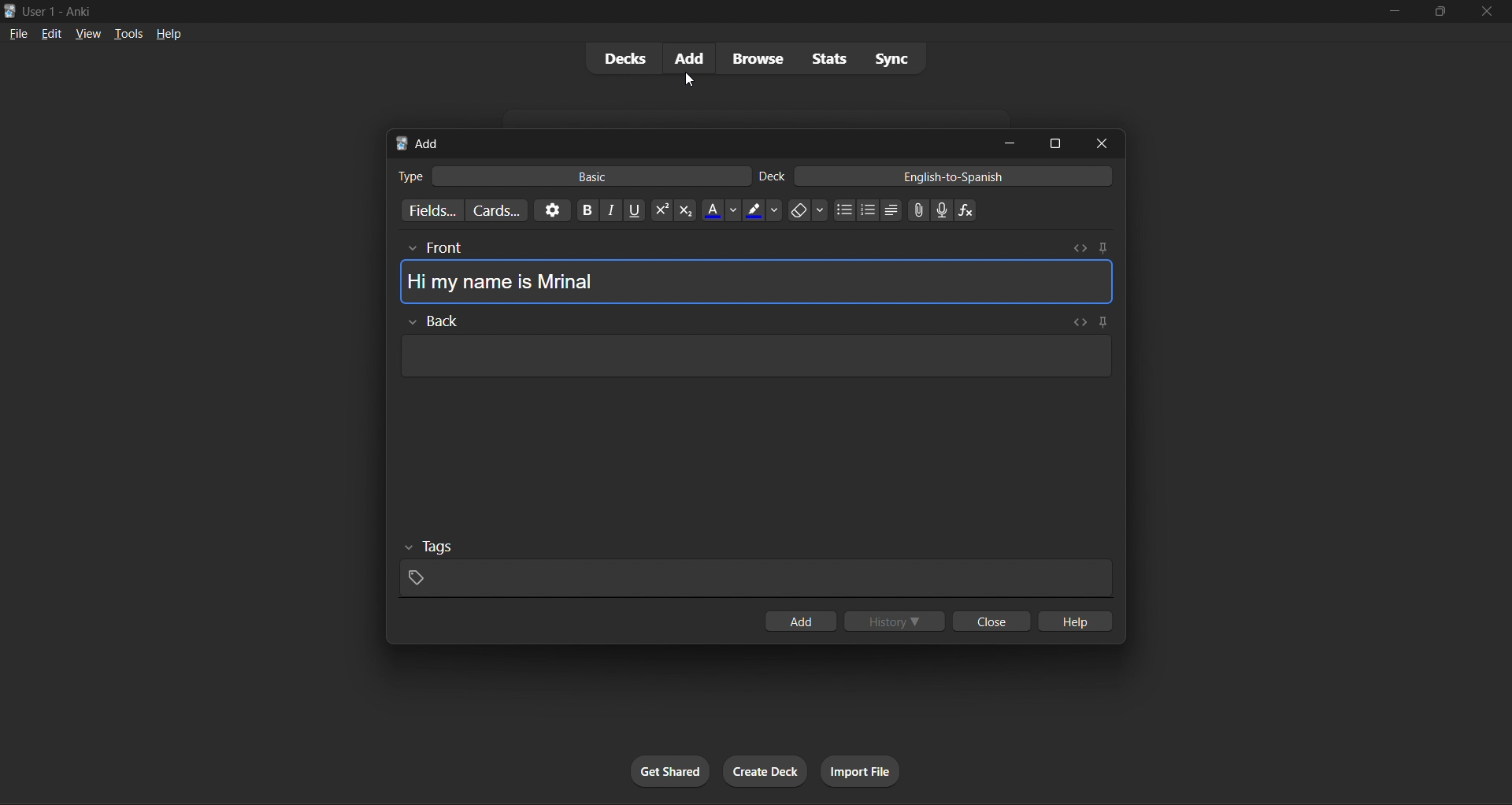  I want to click on browse, so click(756, 57).